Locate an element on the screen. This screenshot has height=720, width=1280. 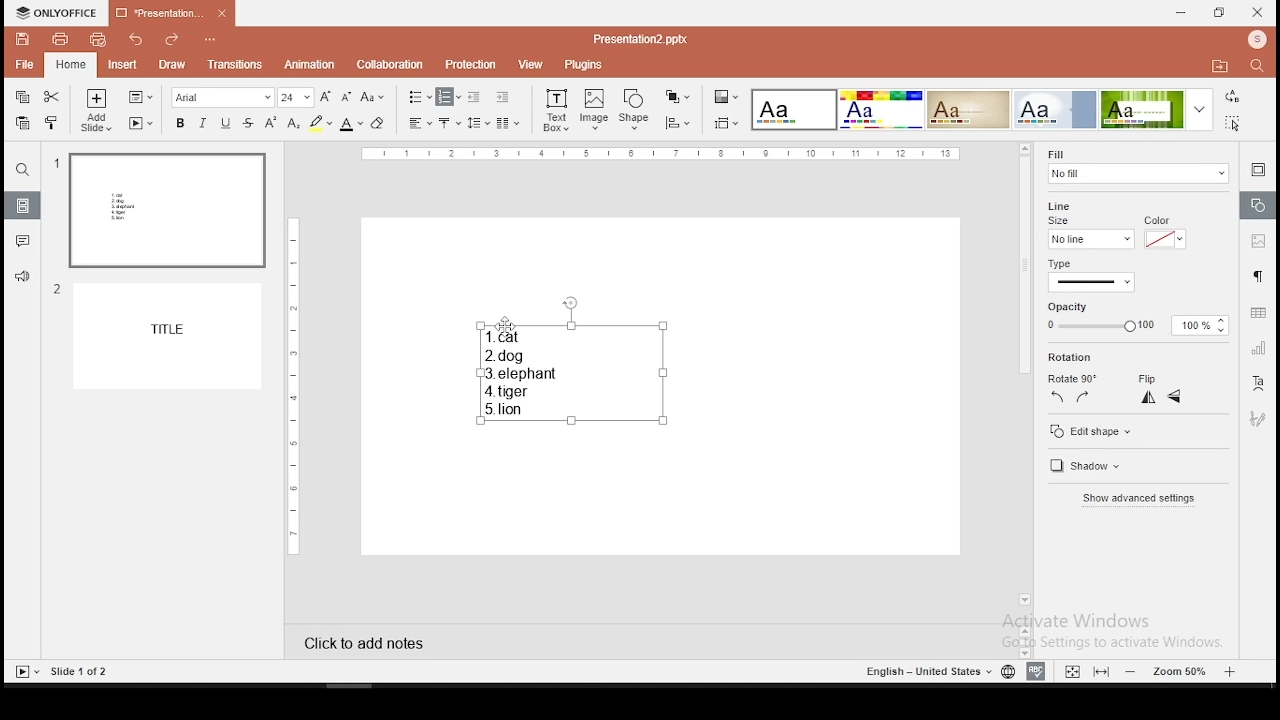
save is located at coordinates (22, 38).